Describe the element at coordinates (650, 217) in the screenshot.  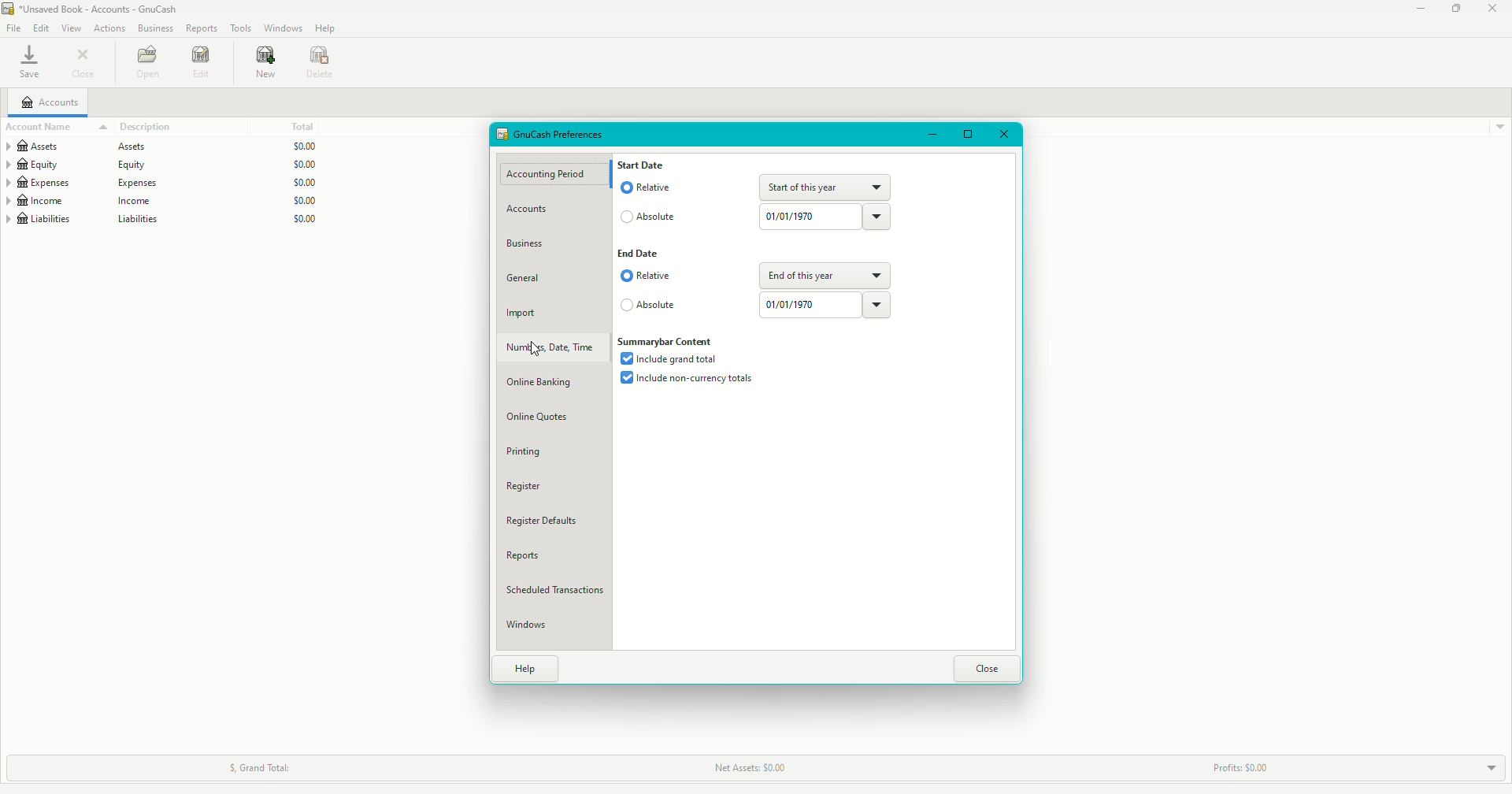
I see `Absolute` at that location.